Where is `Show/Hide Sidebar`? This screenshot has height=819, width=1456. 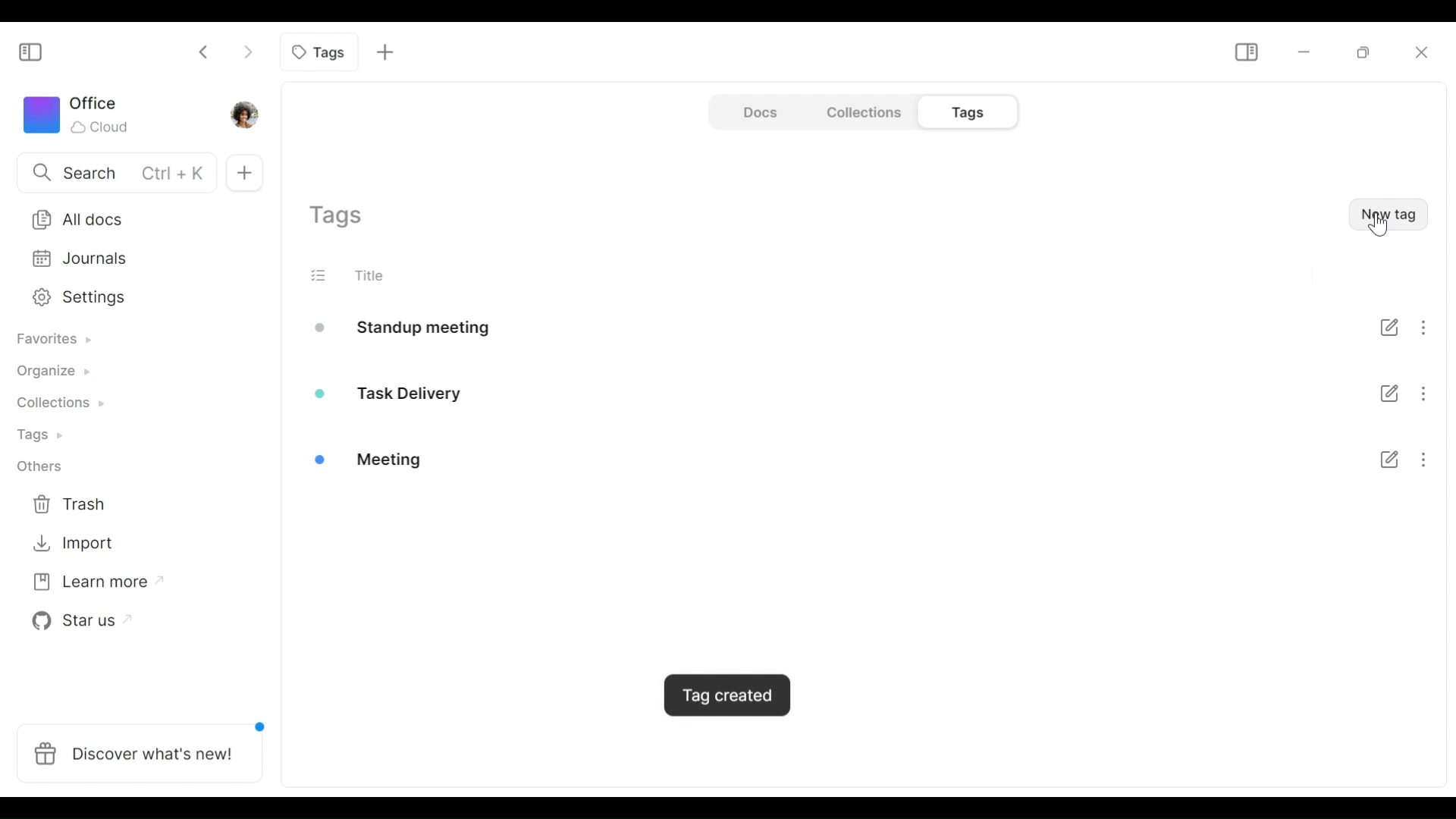
Show/Hide Sidebar is located at coordinates (36, 49).